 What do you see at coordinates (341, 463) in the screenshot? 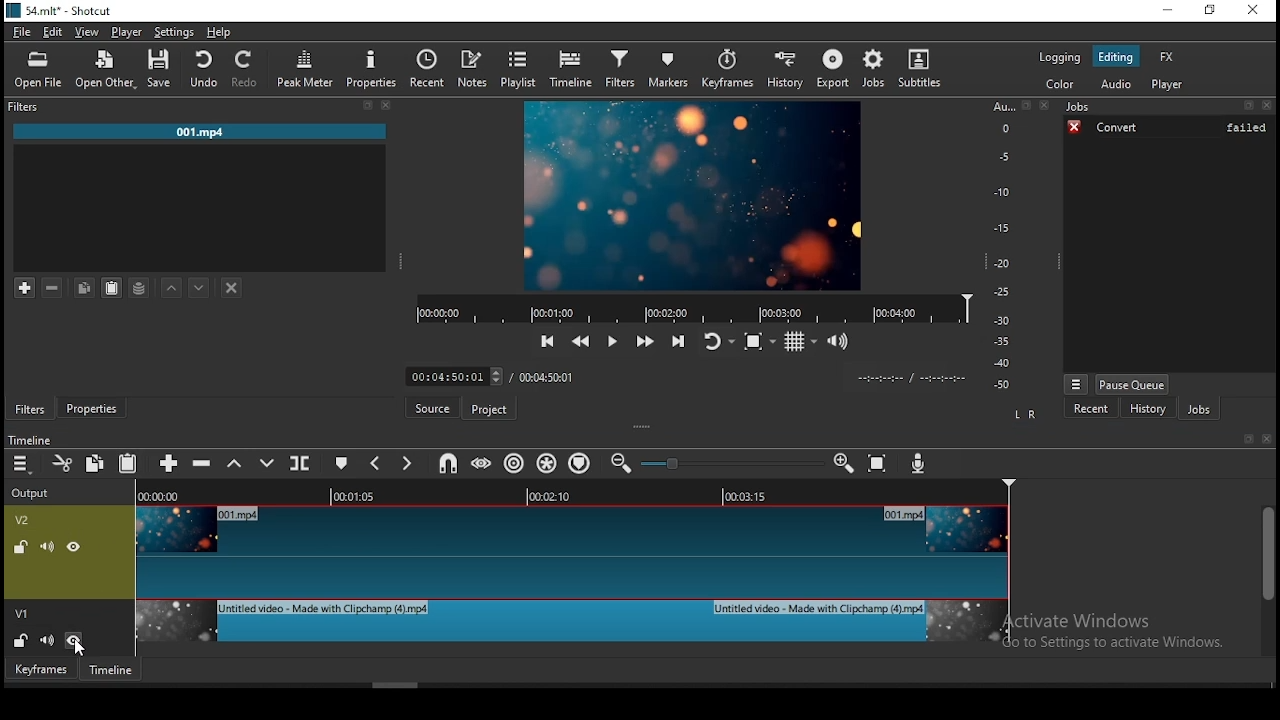
I see `create/edit marker` at bounding box center [341, 463].